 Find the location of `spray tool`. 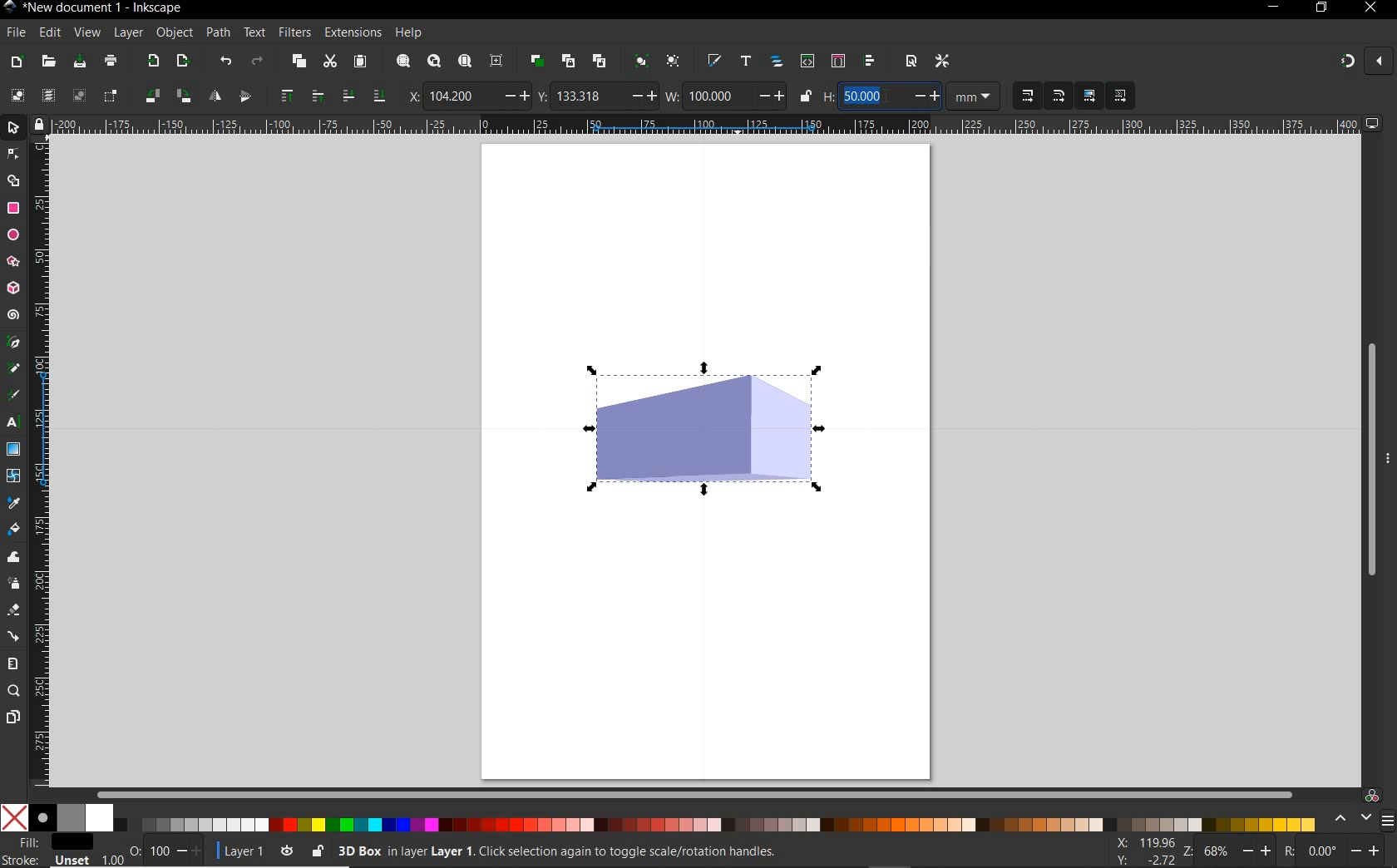

spray tool is located at coordinates (15, 583).